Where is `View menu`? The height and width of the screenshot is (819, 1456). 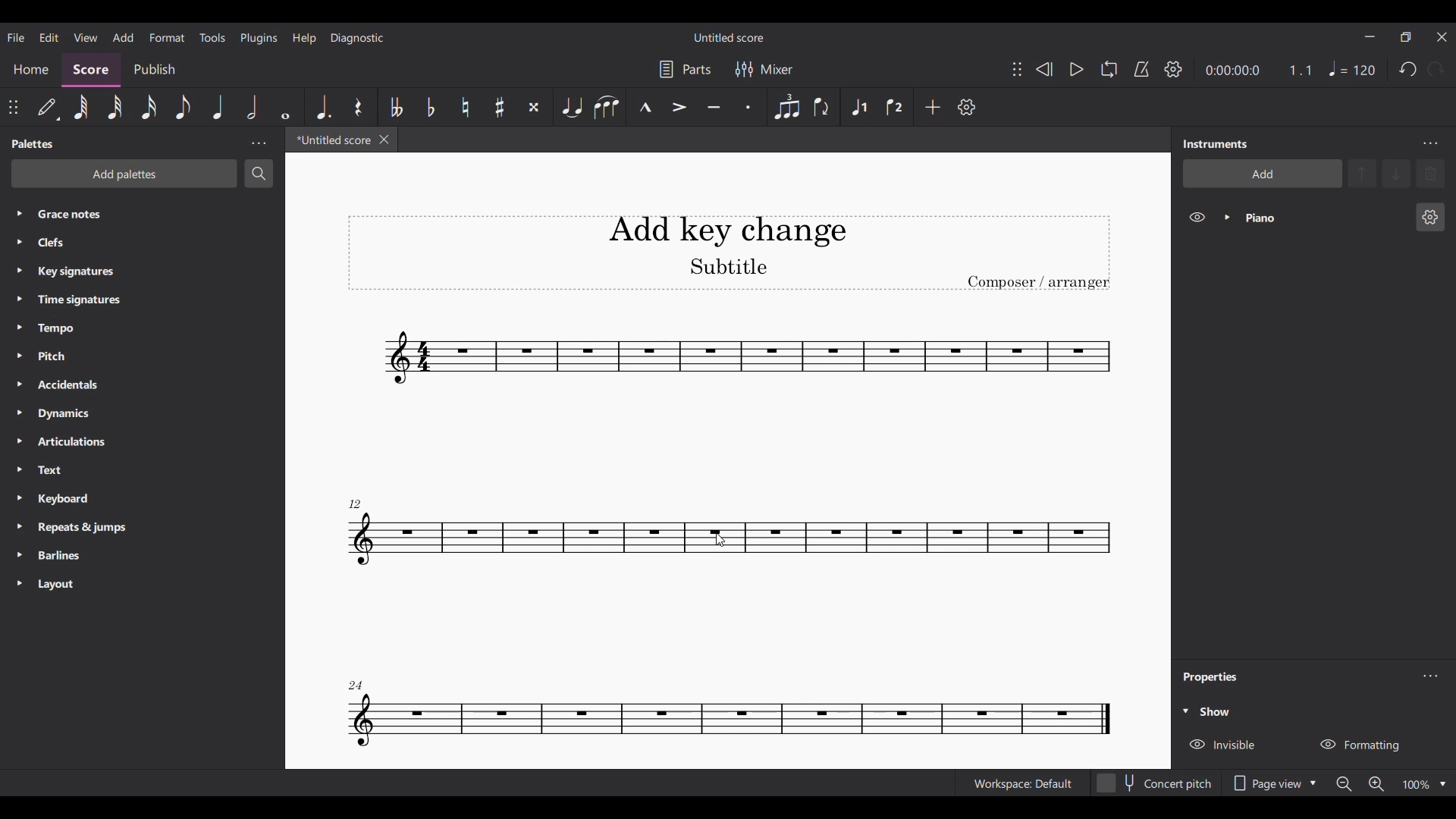
View menu is located at coordinates (85, 36).